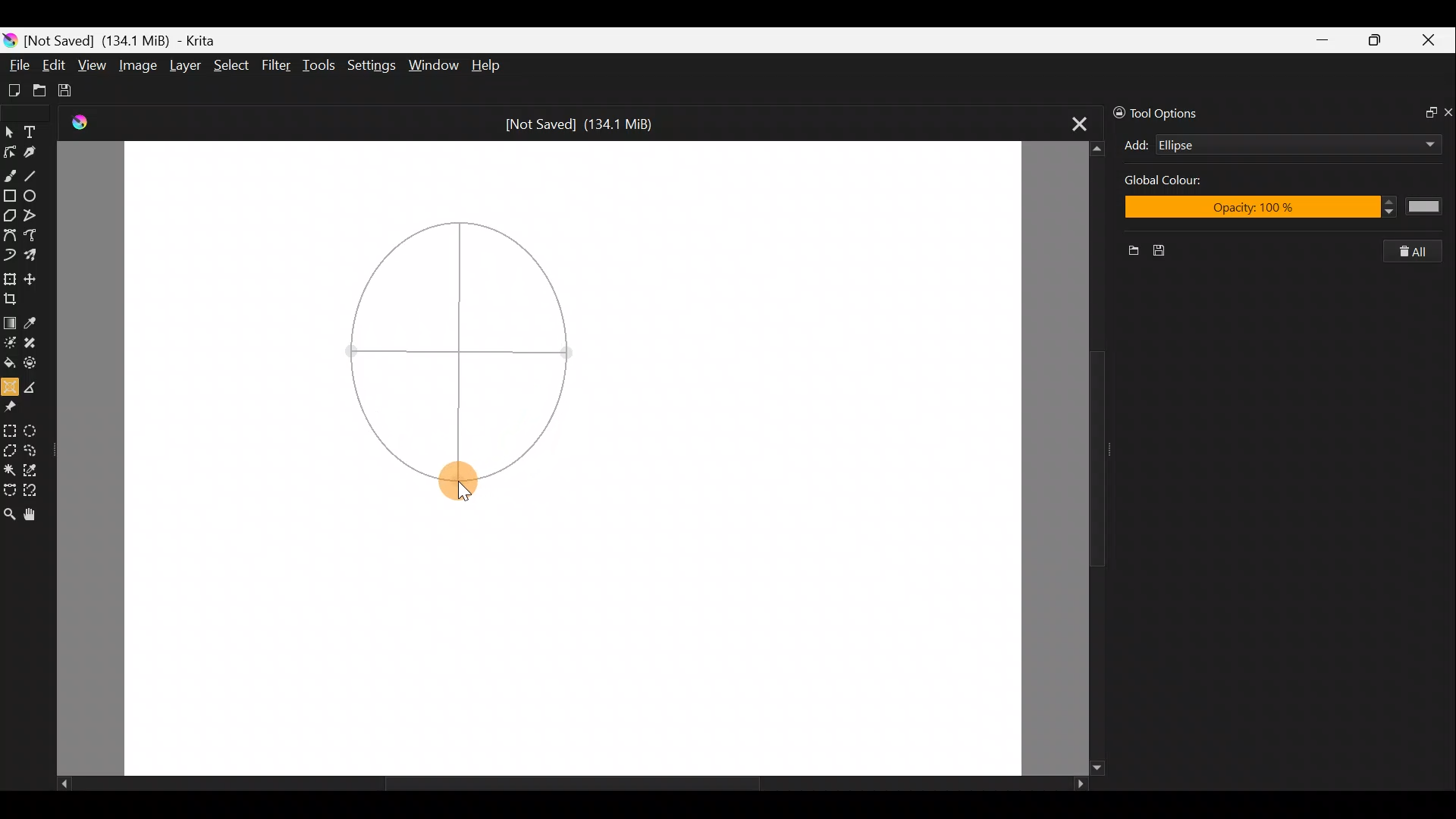  Describe the element at coordinates (1182, 183) in the screenshot. I see `Global color` at that location.